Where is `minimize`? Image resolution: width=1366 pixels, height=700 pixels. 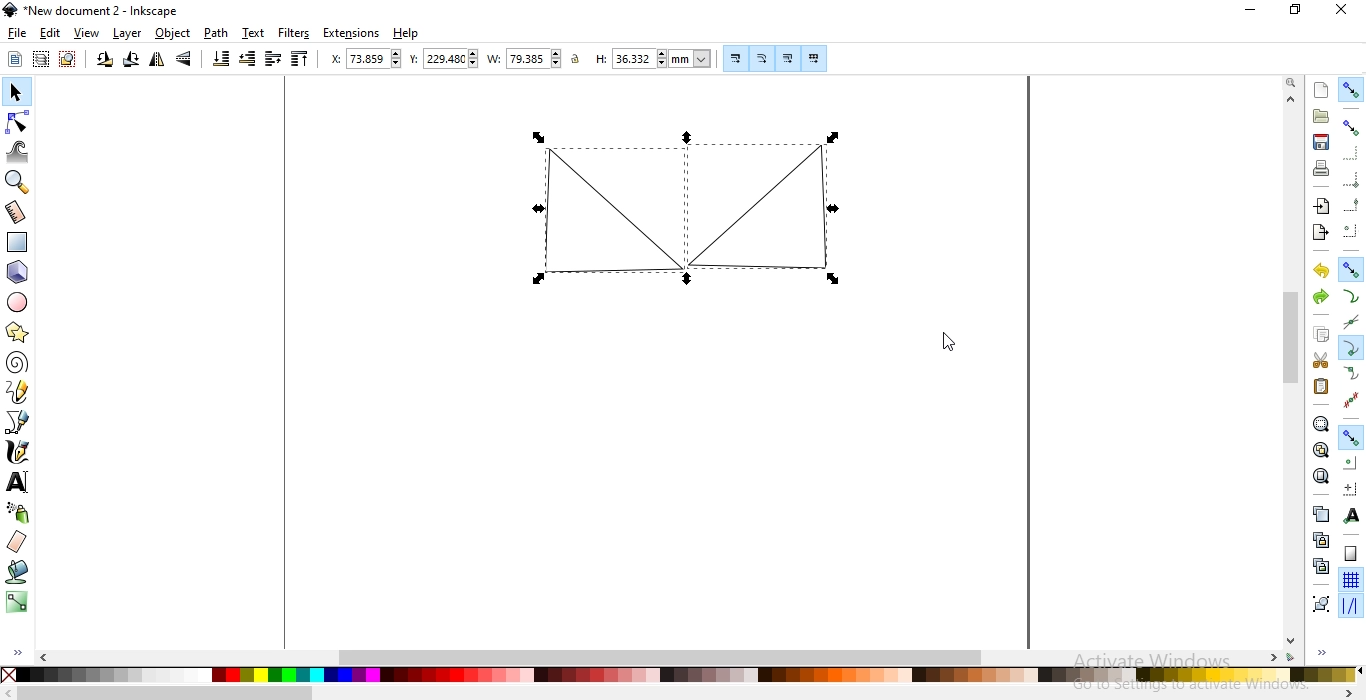
minimize is located at coordinates (1254, 12).